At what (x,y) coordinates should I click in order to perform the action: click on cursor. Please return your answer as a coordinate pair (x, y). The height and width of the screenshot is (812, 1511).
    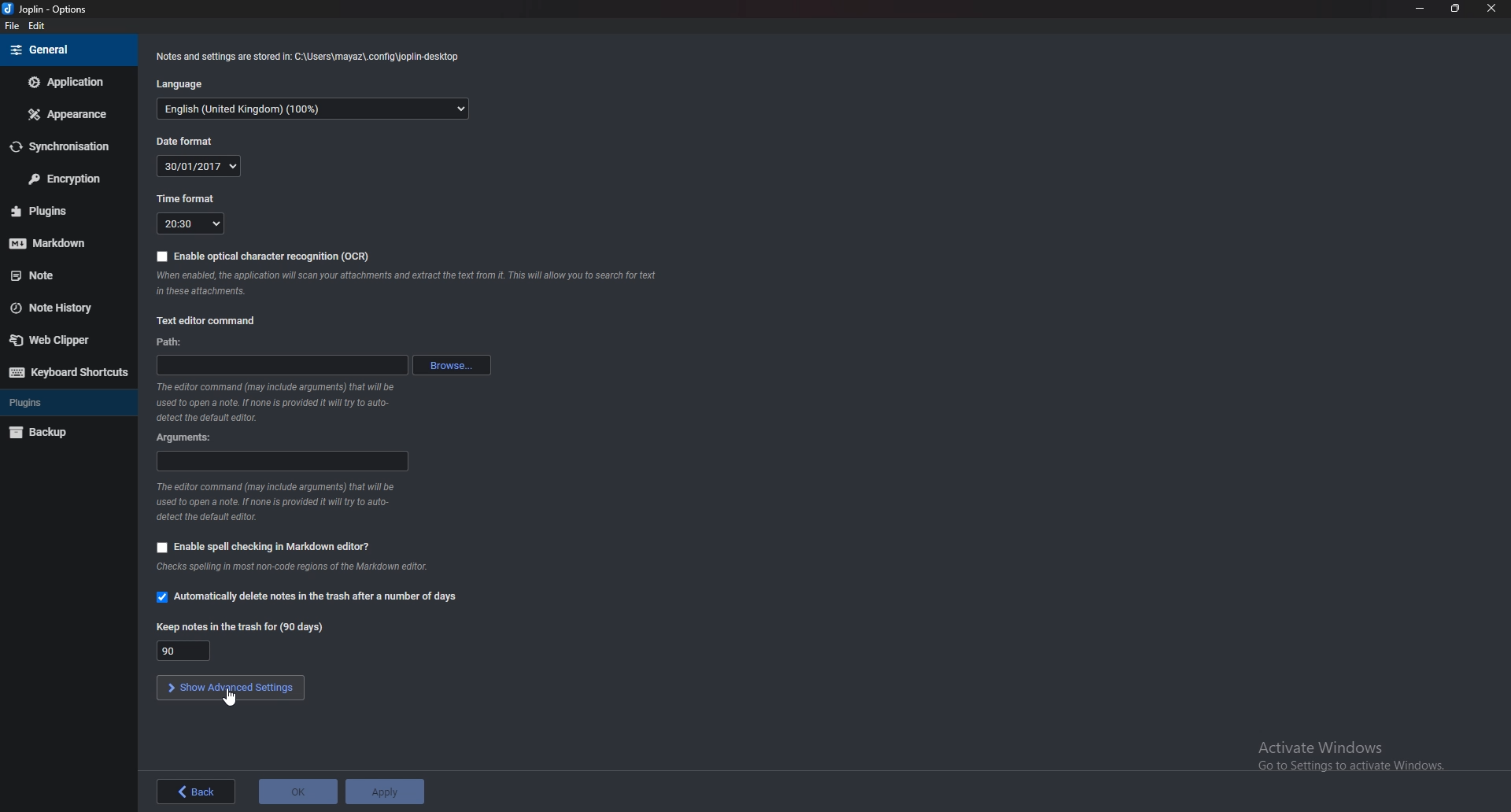
    Looking at the image, I should click on (233, 696).